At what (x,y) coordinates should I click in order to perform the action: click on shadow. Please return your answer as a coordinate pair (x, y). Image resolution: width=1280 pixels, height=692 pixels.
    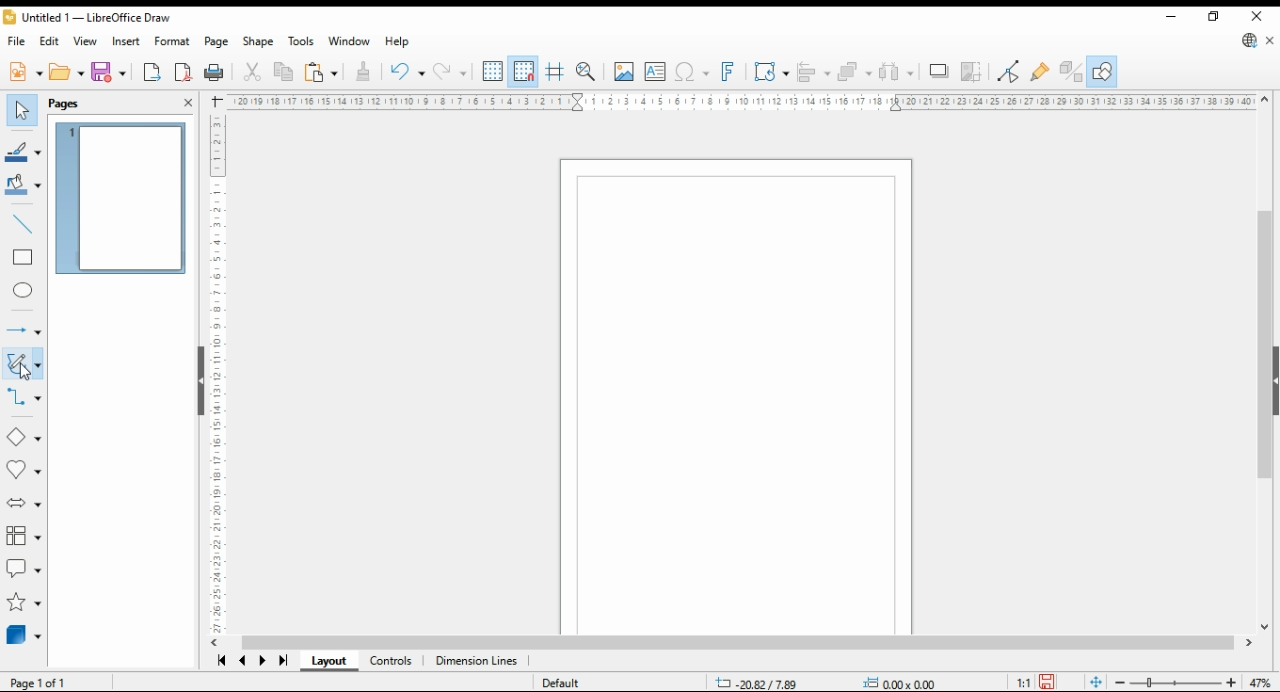
    Looking at the image, I should click on (937, 71).